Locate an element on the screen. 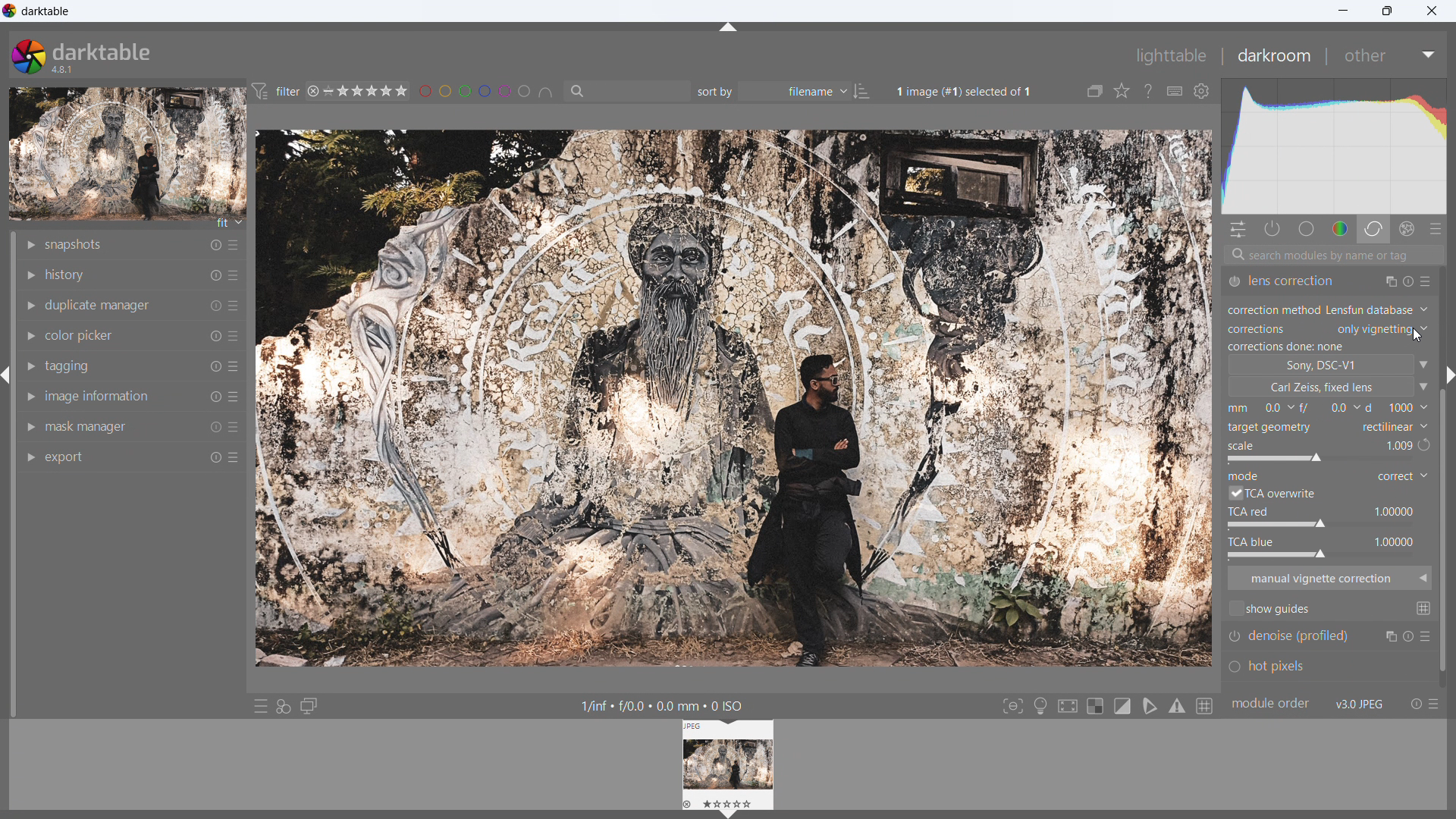  enable this and click on a control element to get online help is located at coordinates (1149, 91).